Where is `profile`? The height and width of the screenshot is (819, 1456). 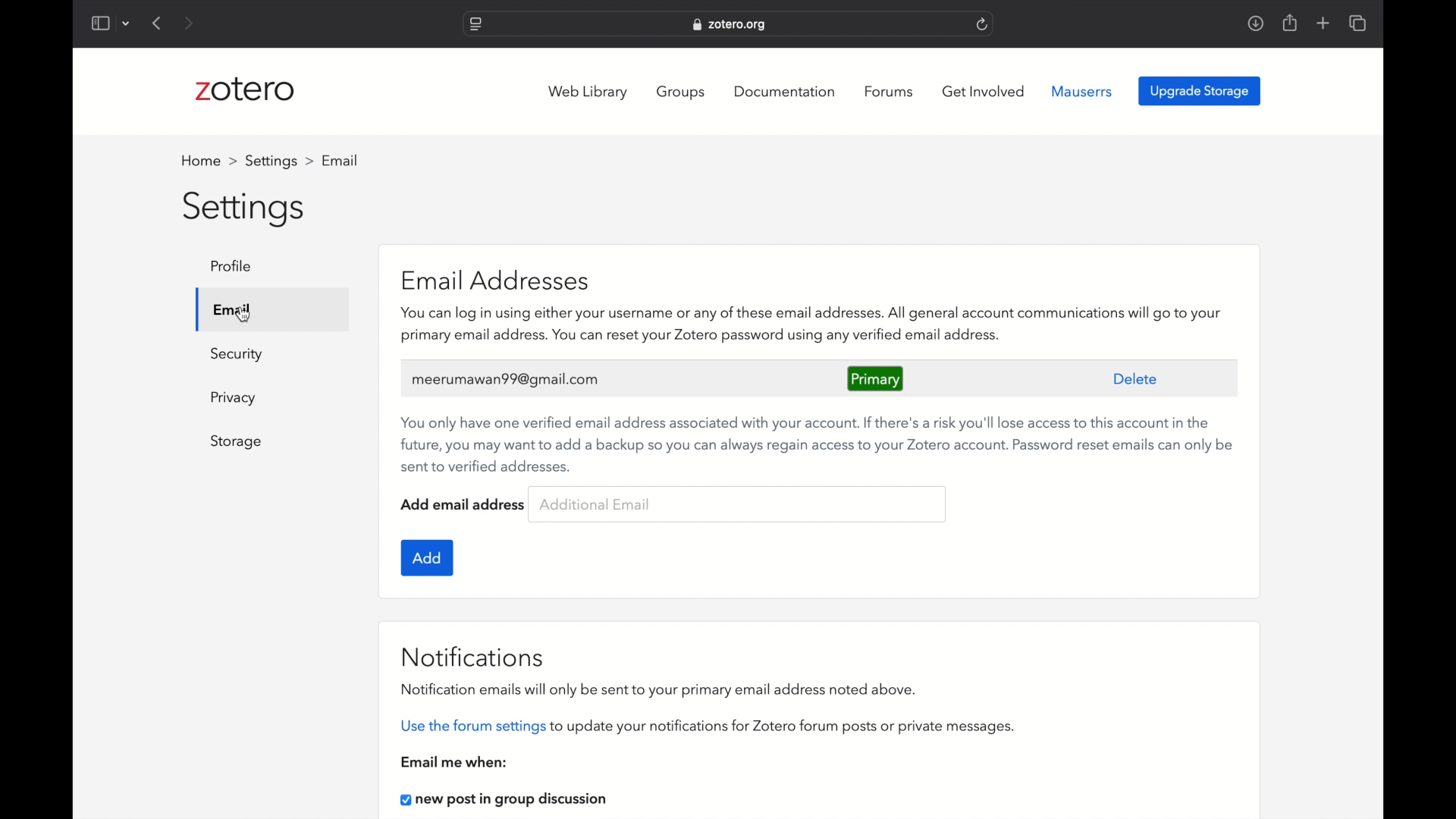
profile is located at coordinates (235, 266).